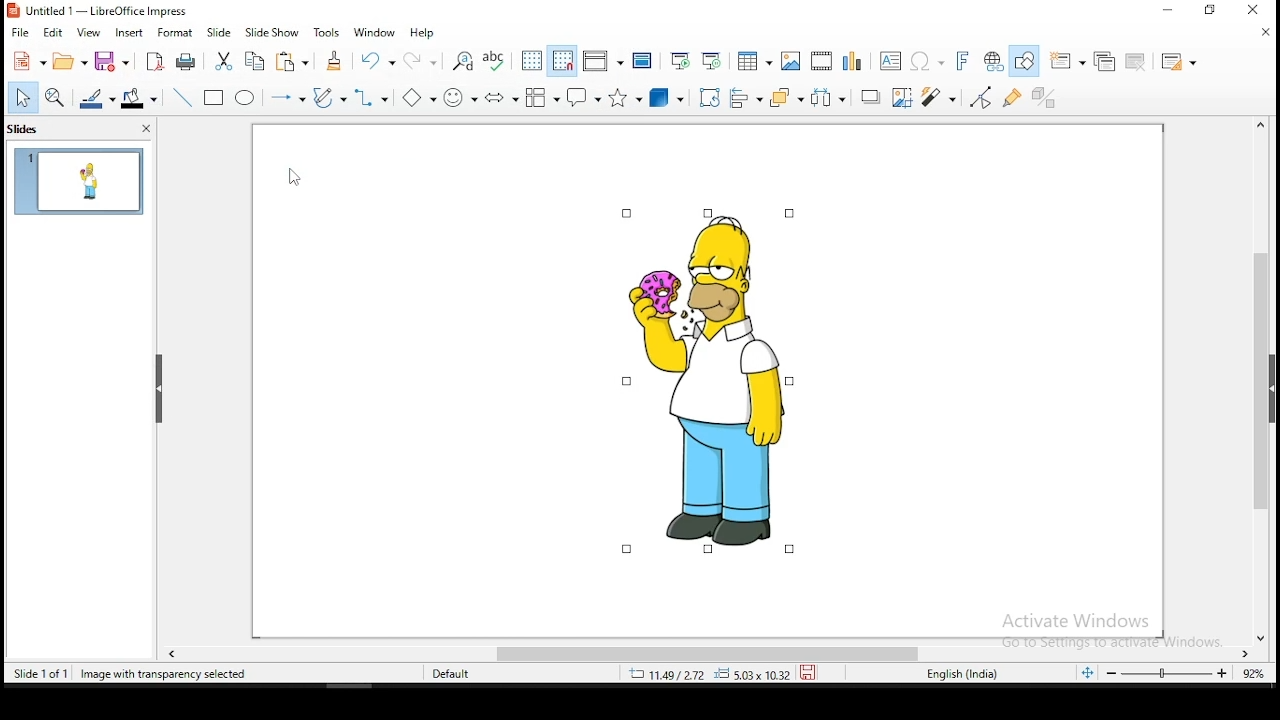 The height and width of the screenshot is (720, 1280). What do you see at coordinates (1247, 655) in the screenshot?
I see `scroll right` at bounding box center [1247, 655].